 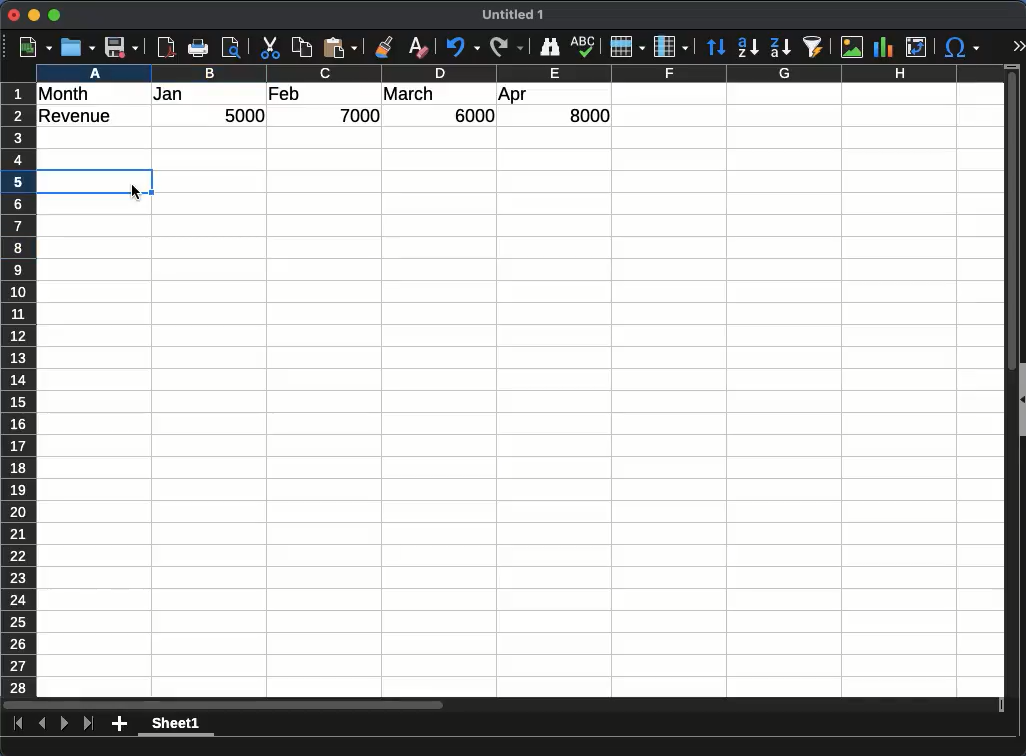 What do you see at coordinates (1012, 381) in the screenshot?
I see `Vertical scroll` at bounding box center [1012, 381].